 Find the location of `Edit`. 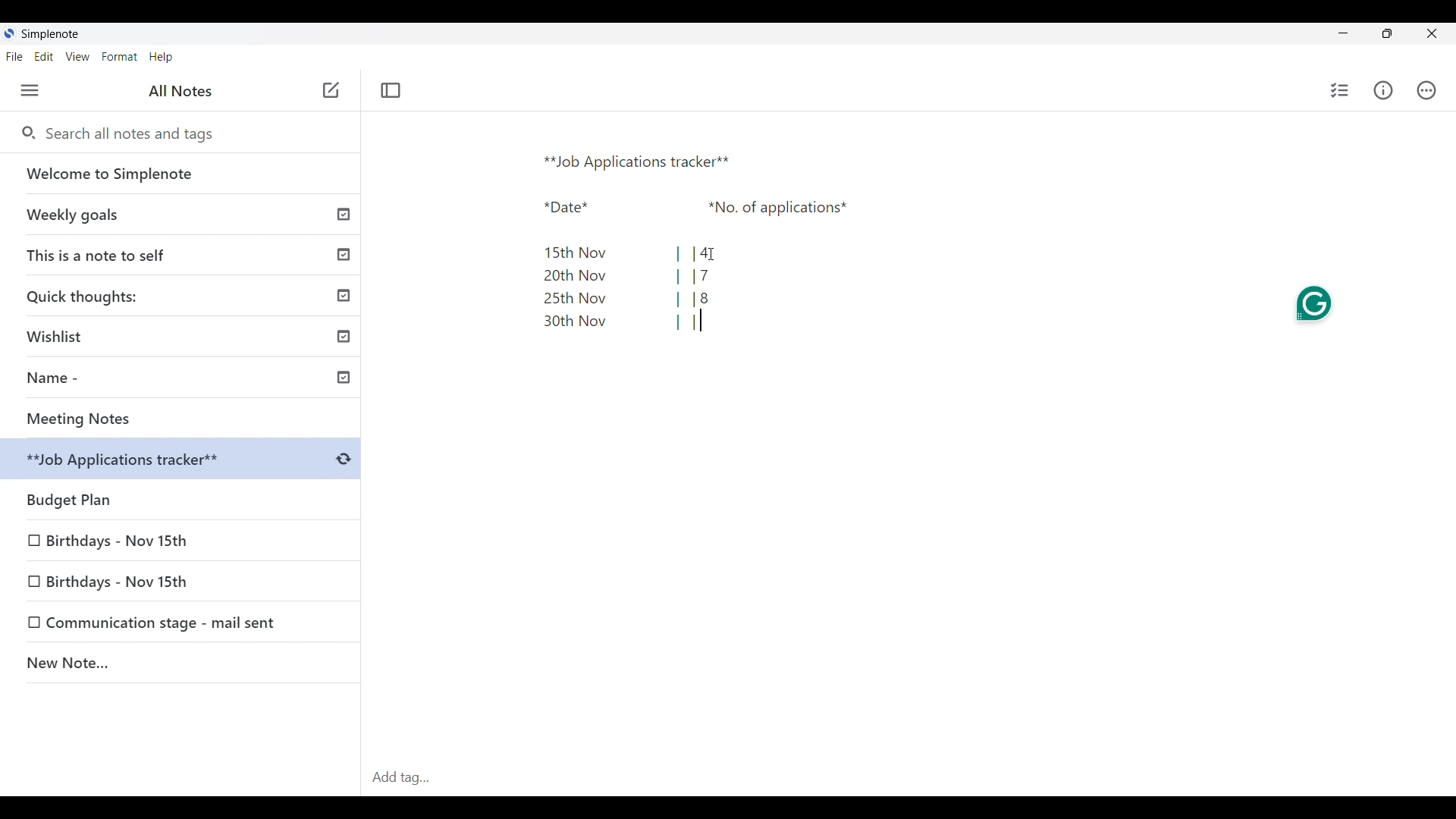

Edit is located at coordinates (44, 56).